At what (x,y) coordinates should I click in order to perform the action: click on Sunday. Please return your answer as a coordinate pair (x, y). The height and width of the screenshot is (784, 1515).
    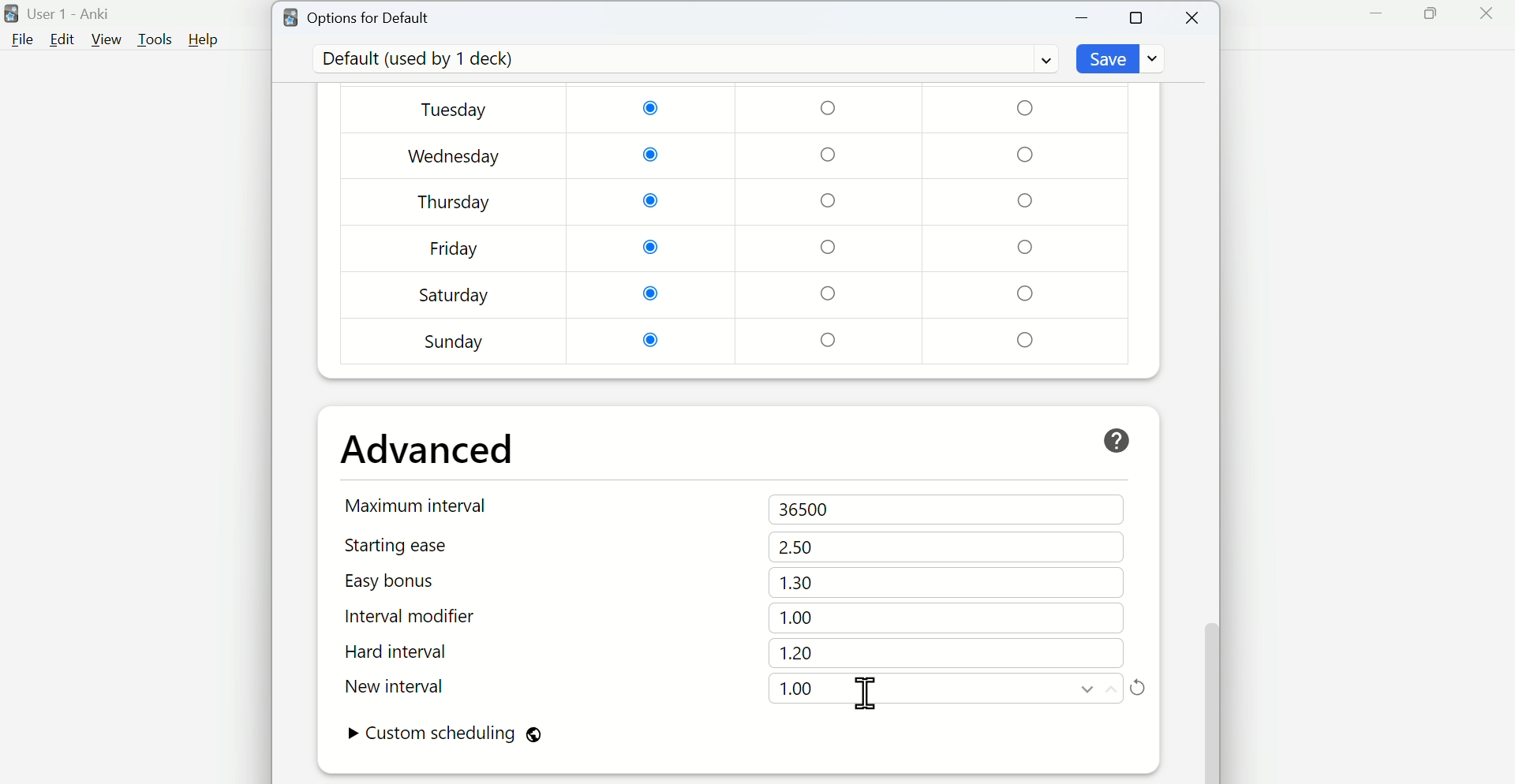
    Looking at the image, I should click on (455, 342).